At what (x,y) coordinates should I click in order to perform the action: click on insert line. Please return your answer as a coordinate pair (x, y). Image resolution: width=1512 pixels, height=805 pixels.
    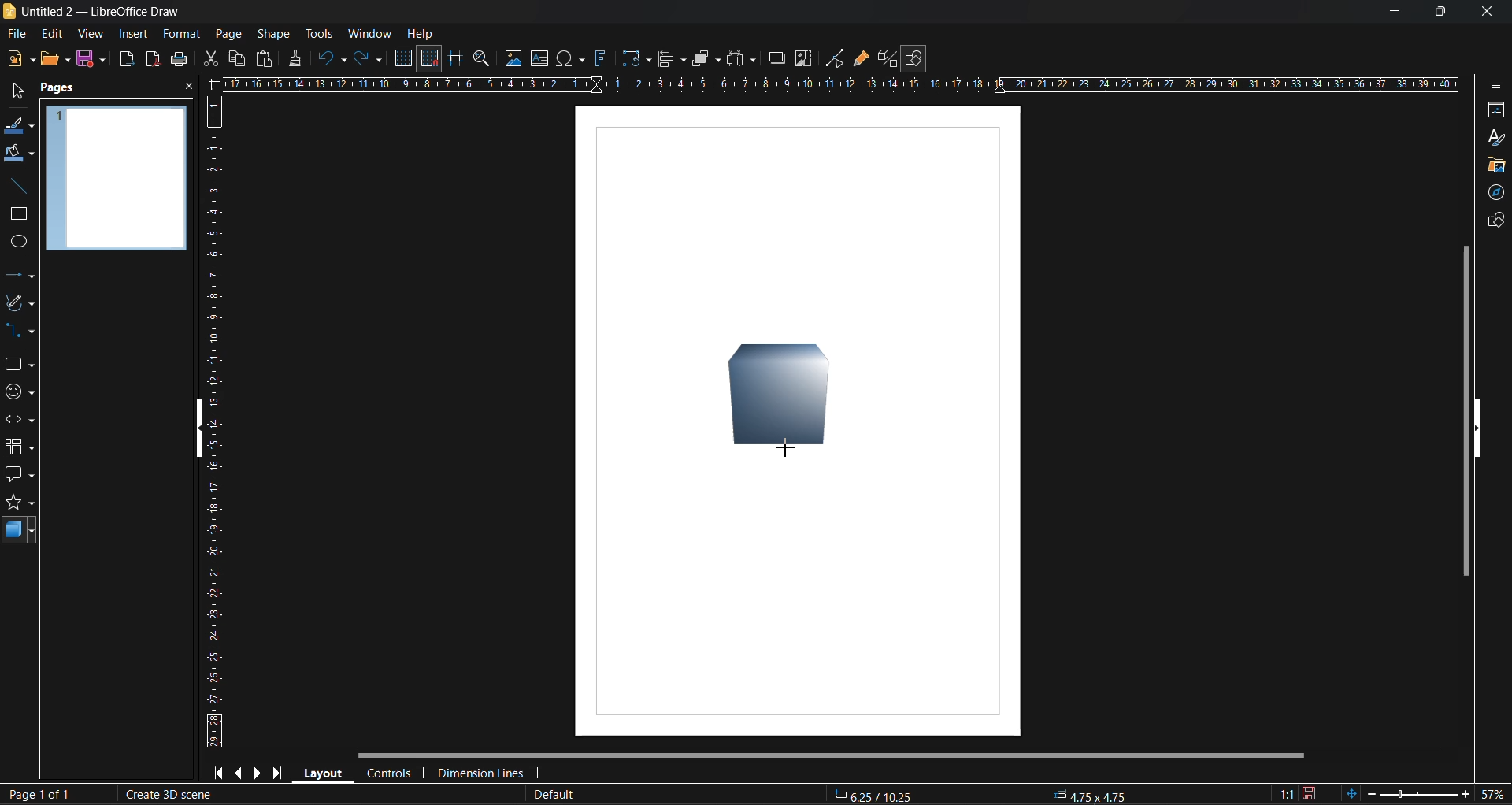
    Looking at the image, I should click on (18, 186).